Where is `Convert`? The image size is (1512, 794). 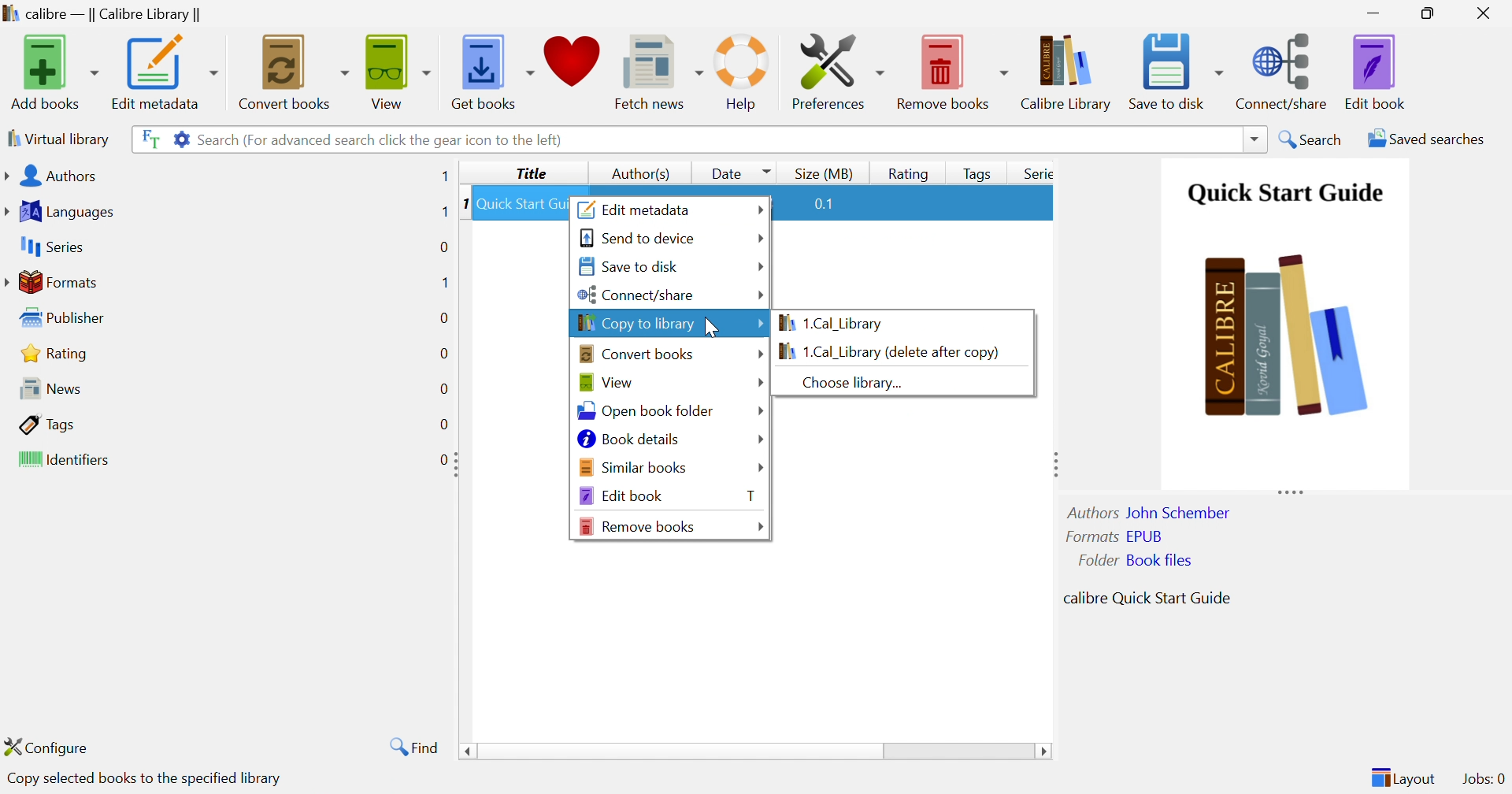 Convert is located at coordinates (636, 353).